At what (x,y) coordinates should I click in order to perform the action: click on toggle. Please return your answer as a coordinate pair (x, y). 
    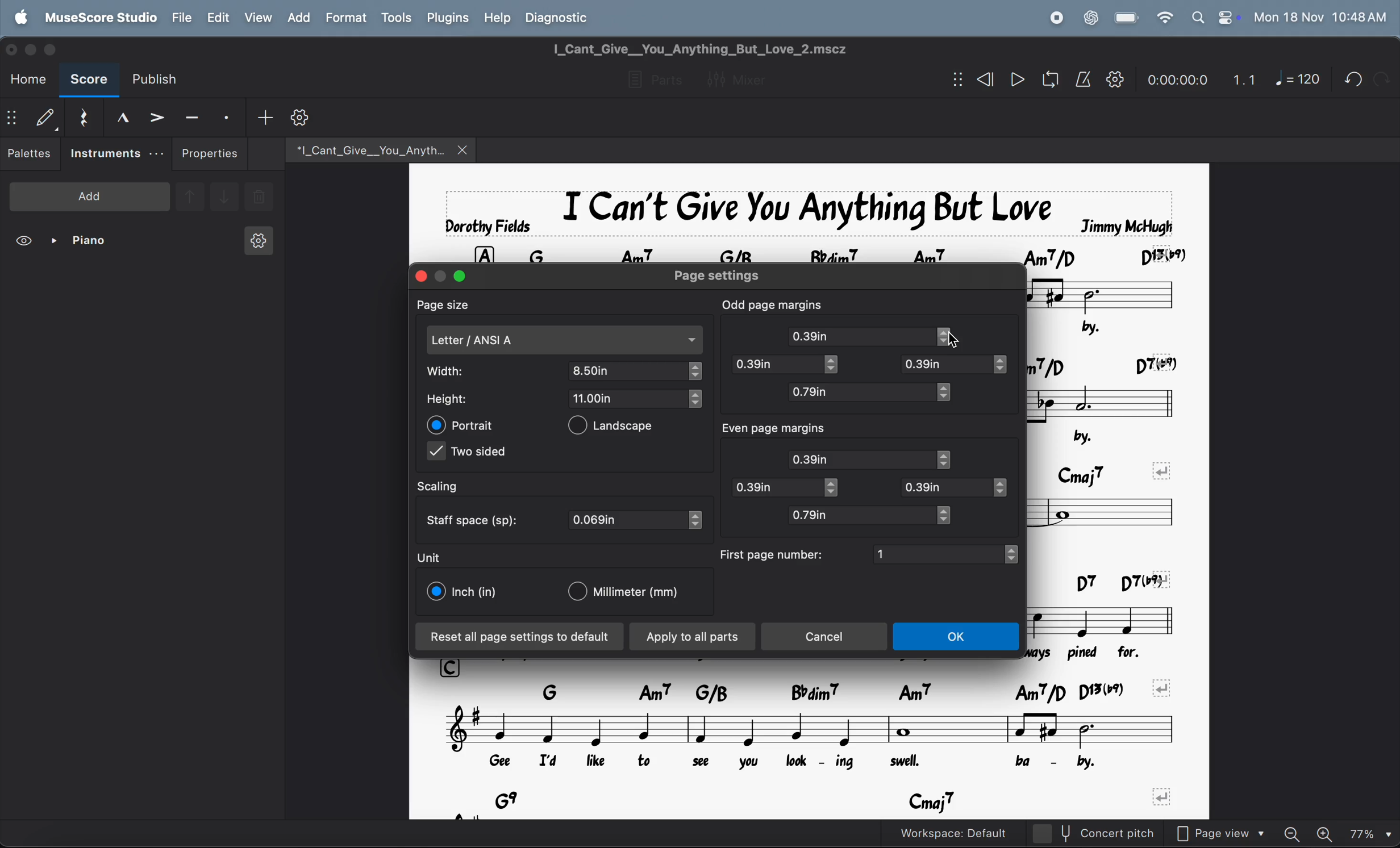
    Looking at the image, I should click on (697, 520).